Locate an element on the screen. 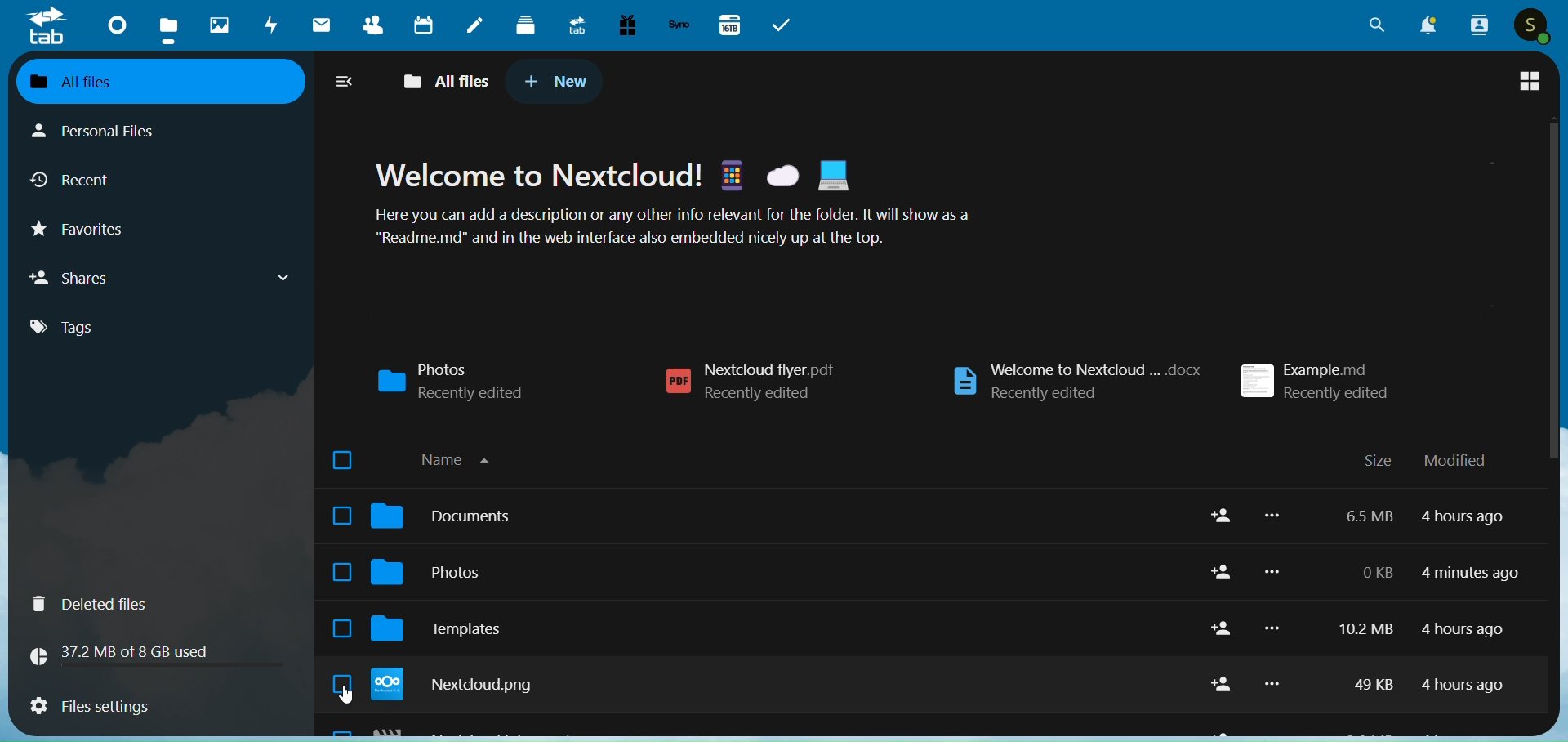 The height and width of the screenshot is (742, 1568). Here you can add a description or any other info relevant for the folder. It will show as a "Readme.md" and in the web interface also embedded nicely up at the top. is located at coordinates (671, 226).